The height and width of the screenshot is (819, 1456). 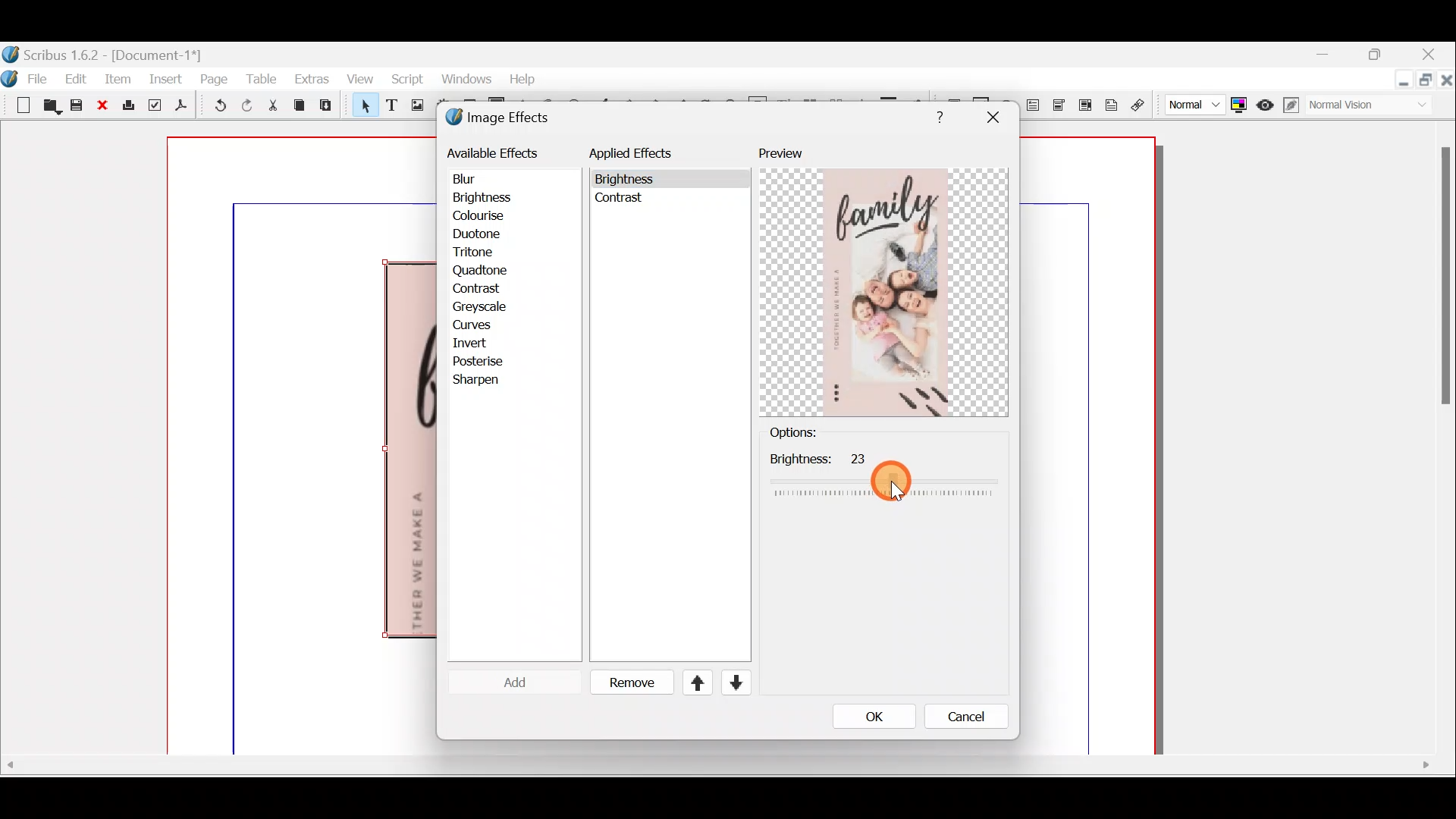 What do you see at coordinates (10, 77) in the screenshot?
I see `Logo` at bounding box center [10, 77].